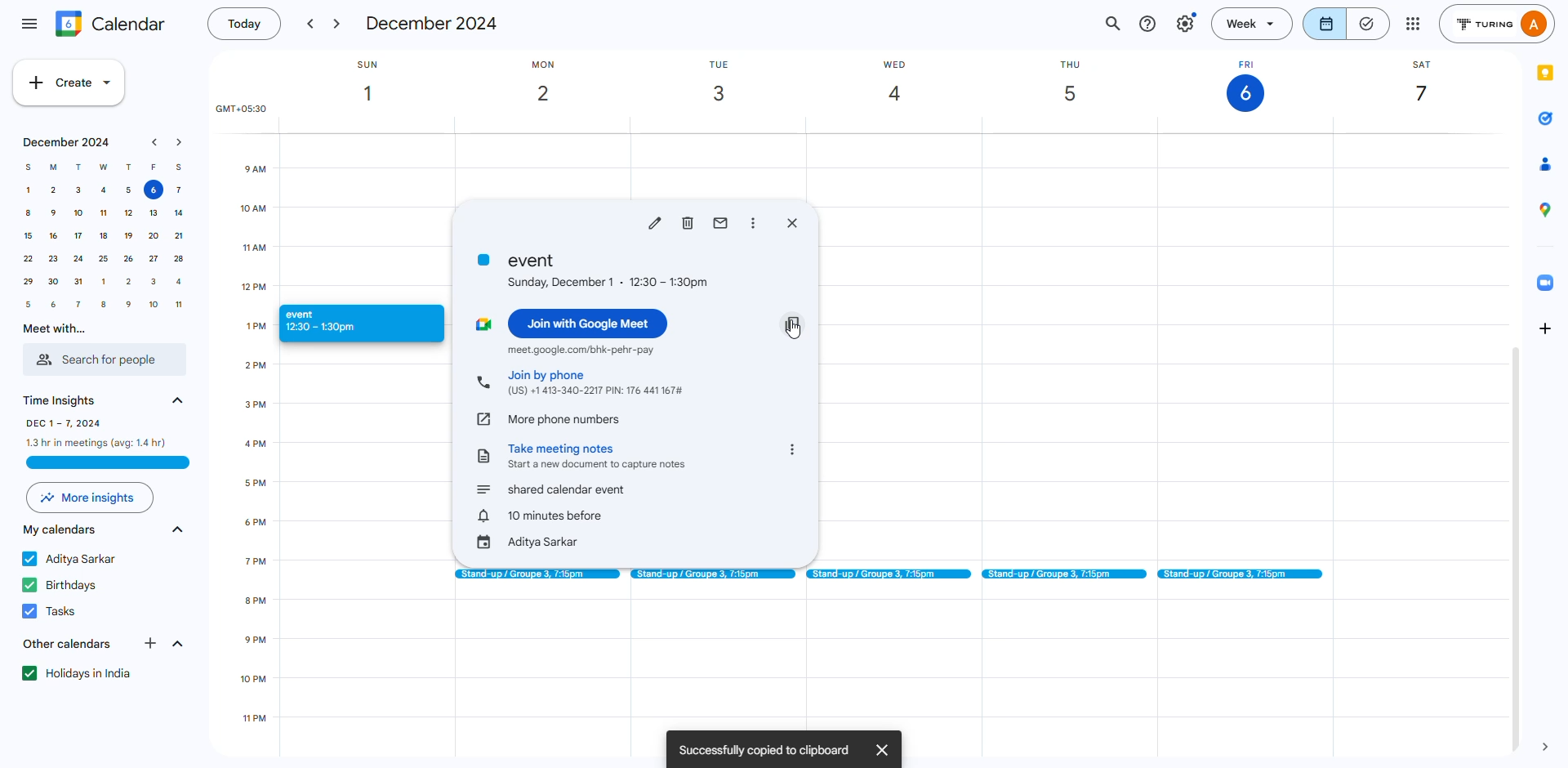 Image resolution: width=1568 pixels, height=768 pixels. What do you see at coordinates (1412, 23) in the screenshot?
I see `more` at bounding box center [1412, 23].